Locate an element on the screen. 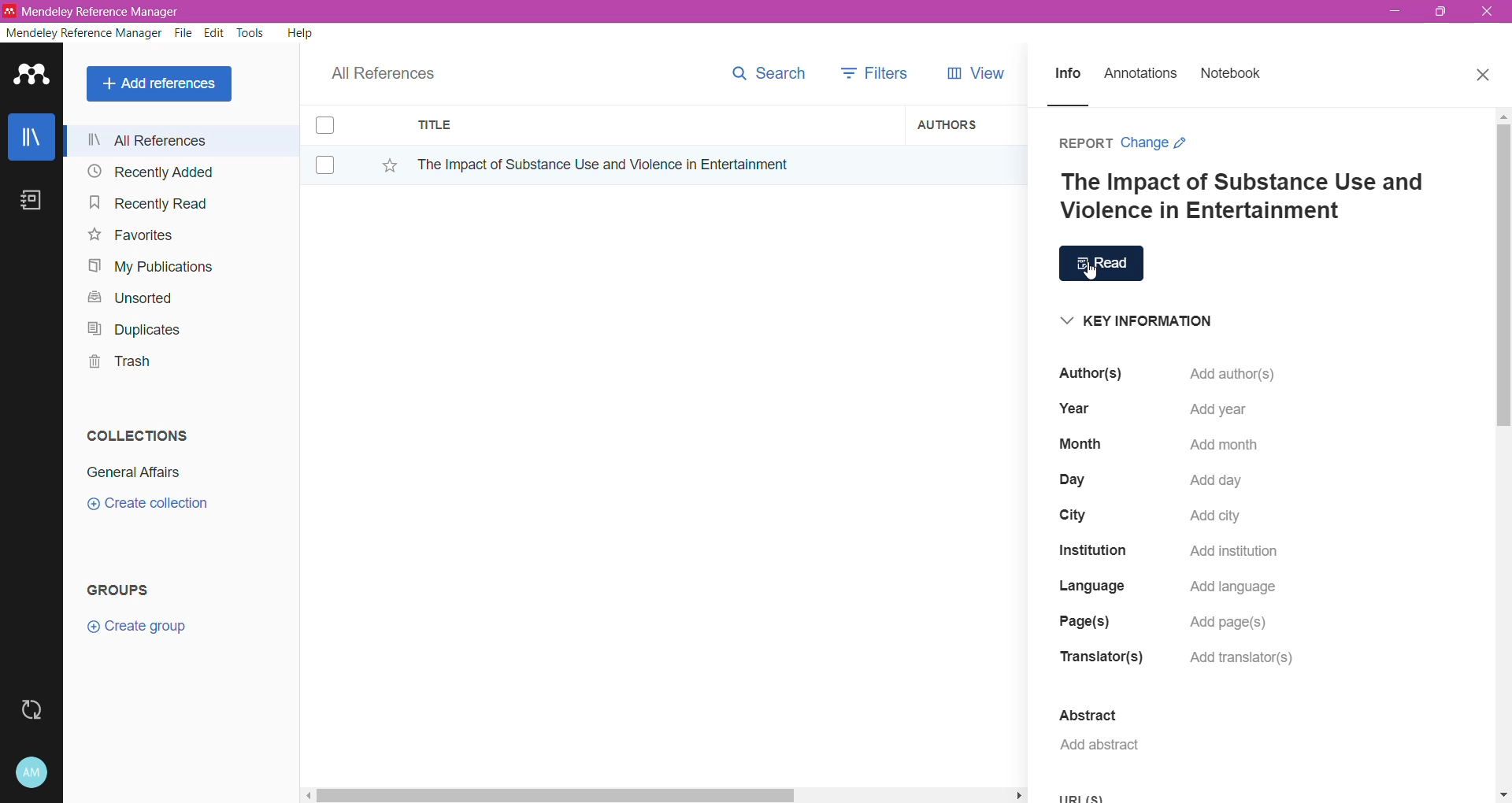  Change Item Type is located at coordinates (1158, 141).